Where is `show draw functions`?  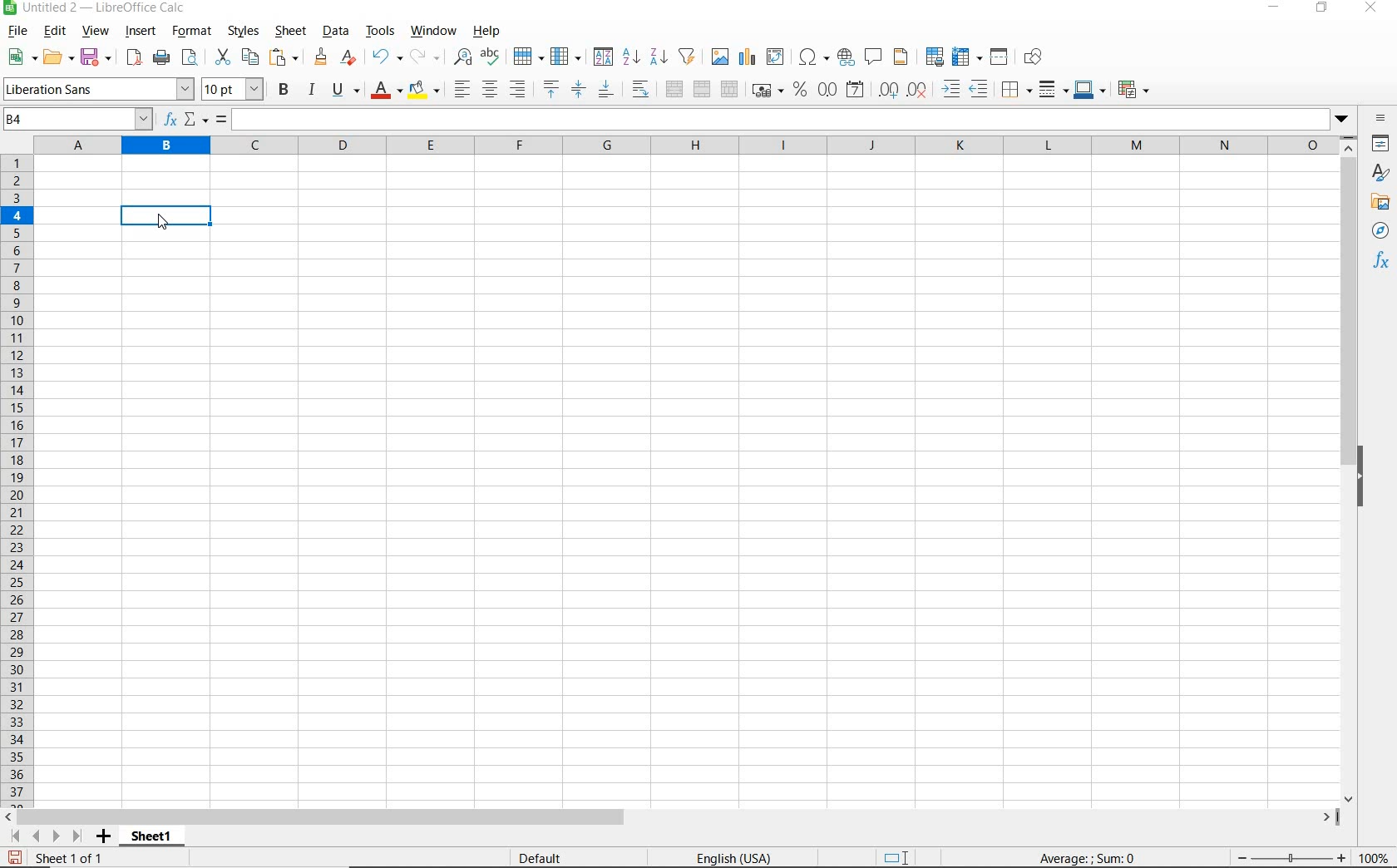
show draw functions is located at coordinates (1036, 58).